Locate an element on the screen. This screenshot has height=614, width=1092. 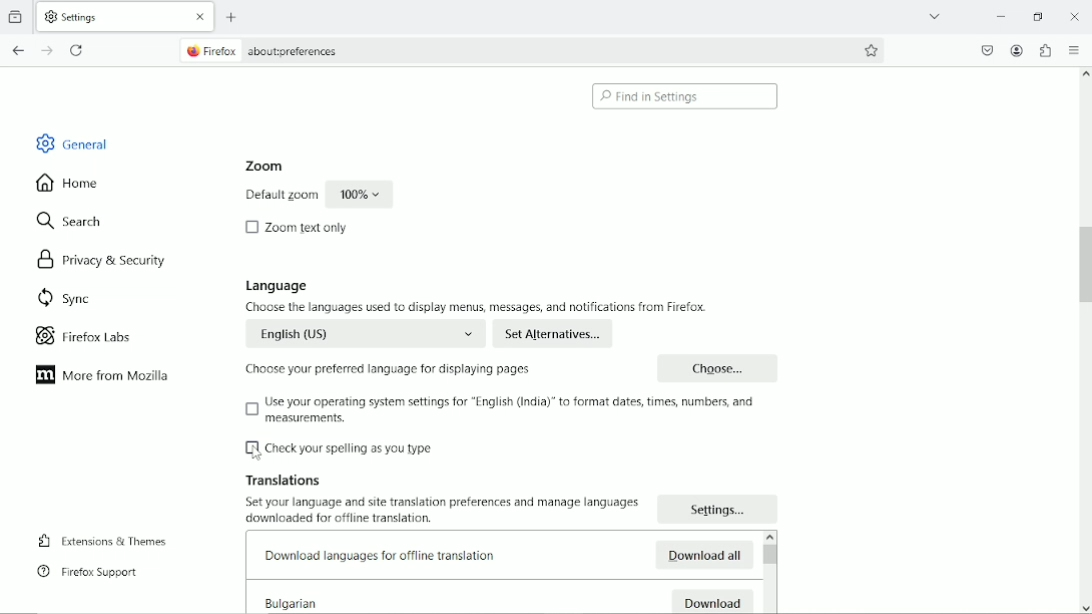
Download is located at coordinates (711, 602).